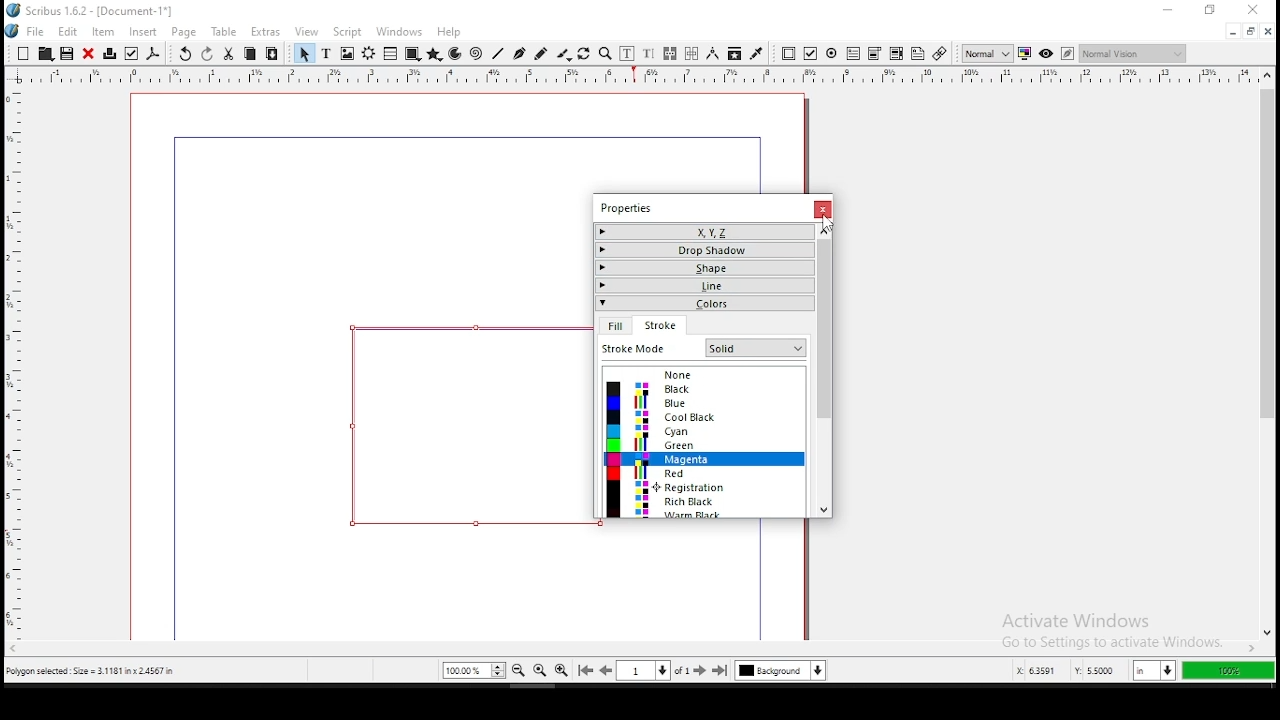 The width and height of the screenshot is (1280, 720). Describe the element at coordinates (1101, 624) in the screenshot. I see `activate windows` at that location.